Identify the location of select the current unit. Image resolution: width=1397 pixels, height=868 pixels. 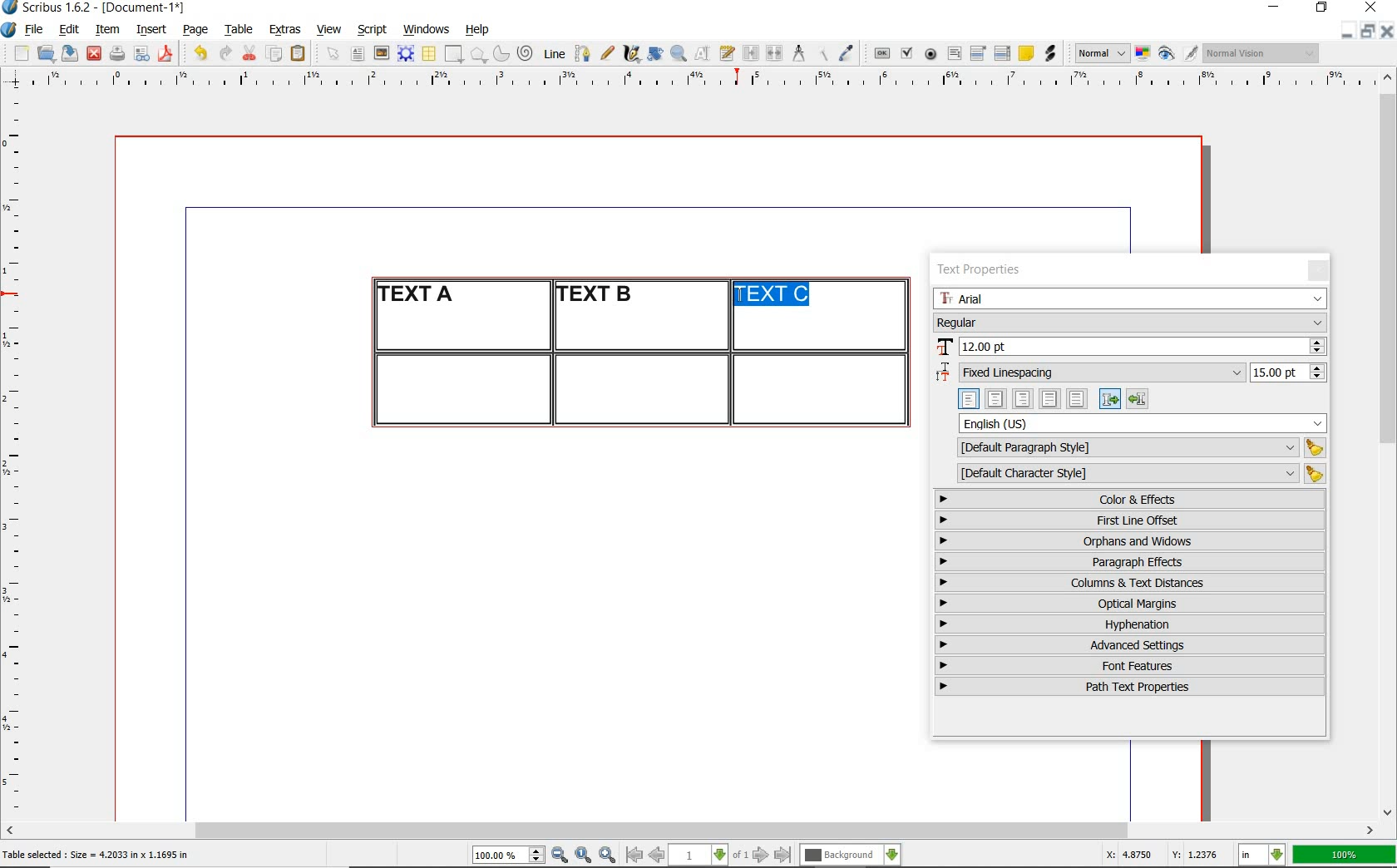
(1262, 856).